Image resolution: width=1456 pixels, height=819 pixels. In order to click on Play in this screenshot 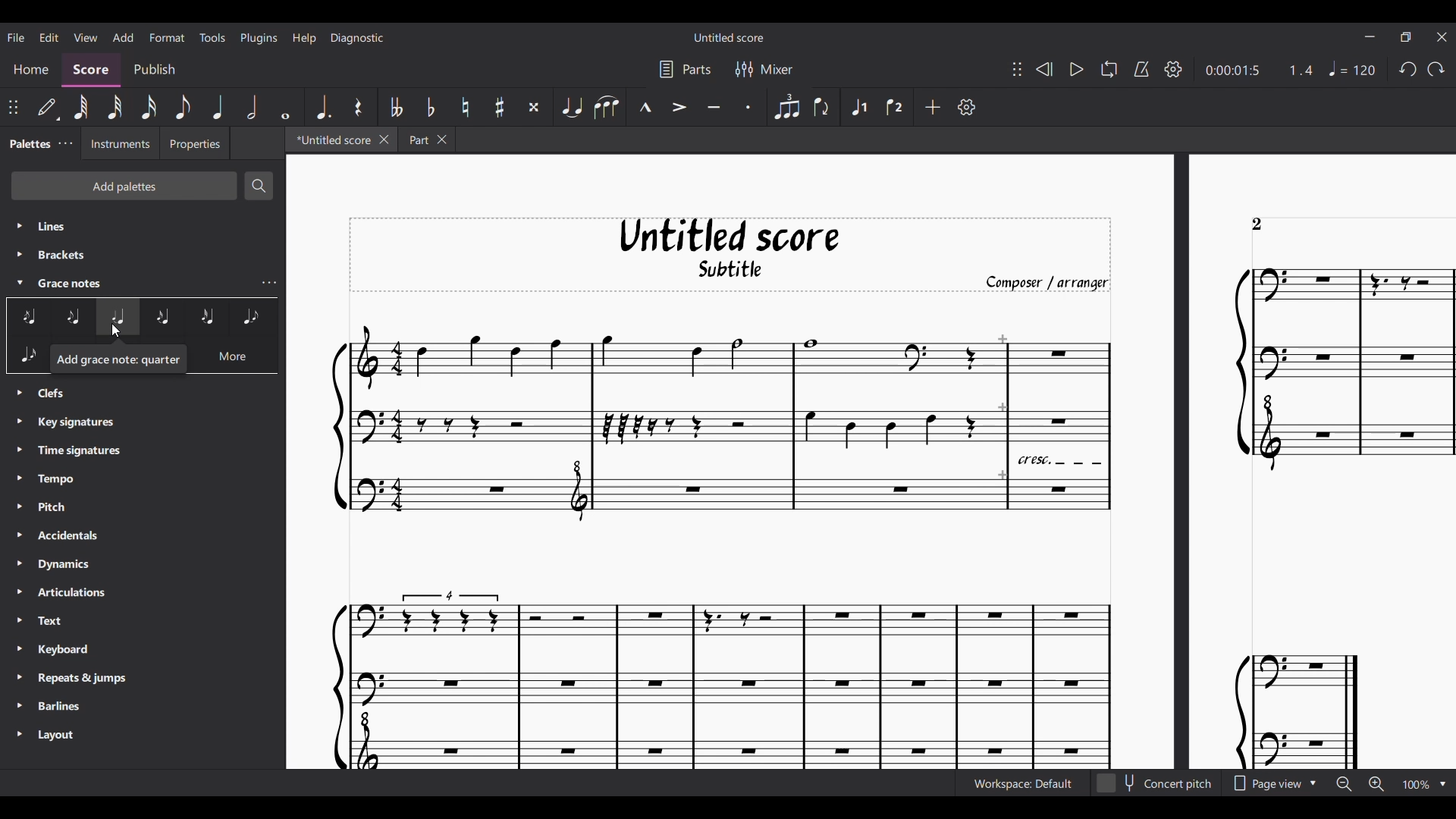, I will do `click(1077, 69)`.